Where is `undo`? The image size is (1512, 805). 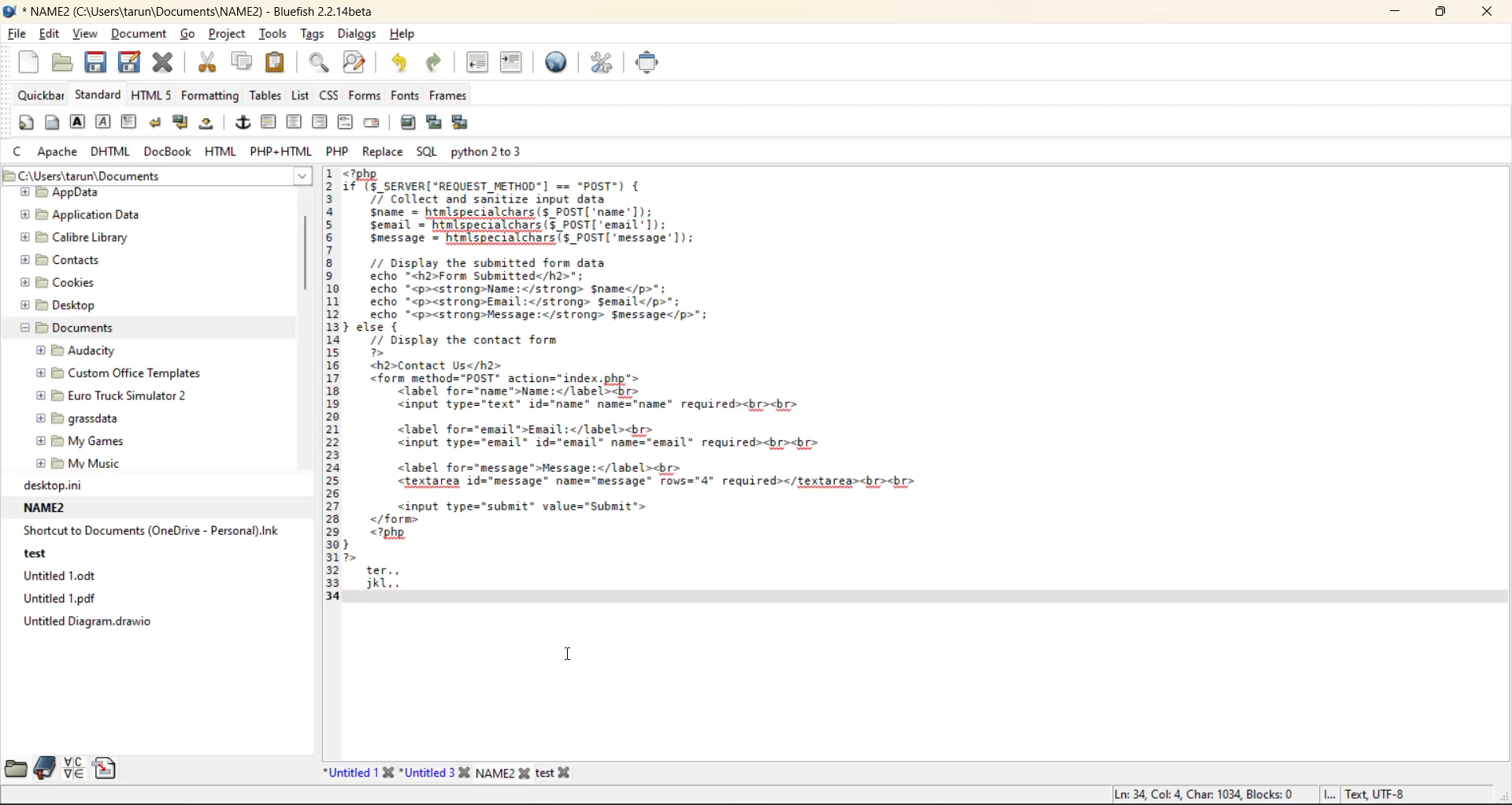 undo is located at coordinates (402, 63).